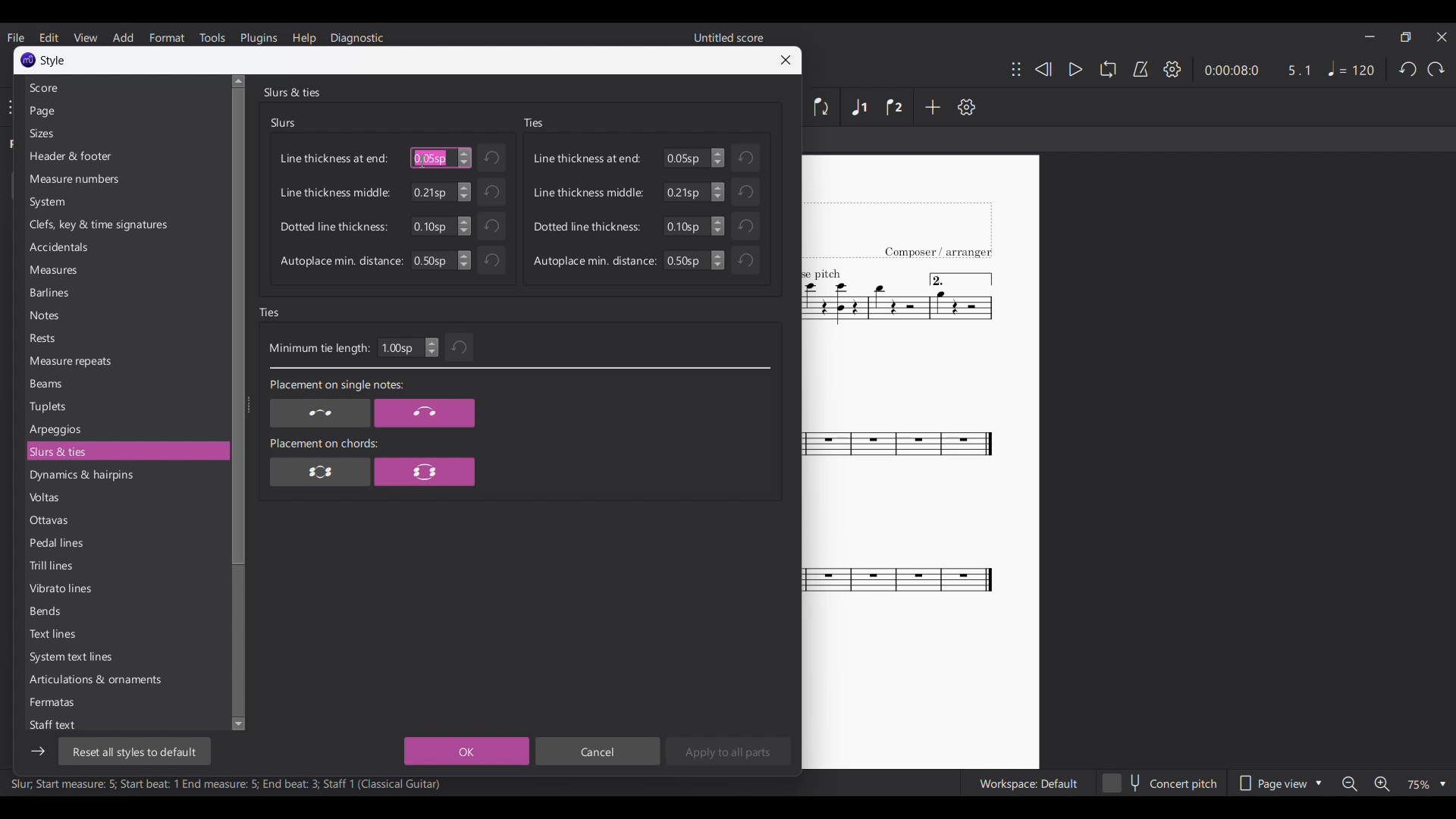 The width and height of the screenshot is (1456, 819). Describe the element at coordinates (125, 179) in the screenshot. I see `Measure numbers` at that location.